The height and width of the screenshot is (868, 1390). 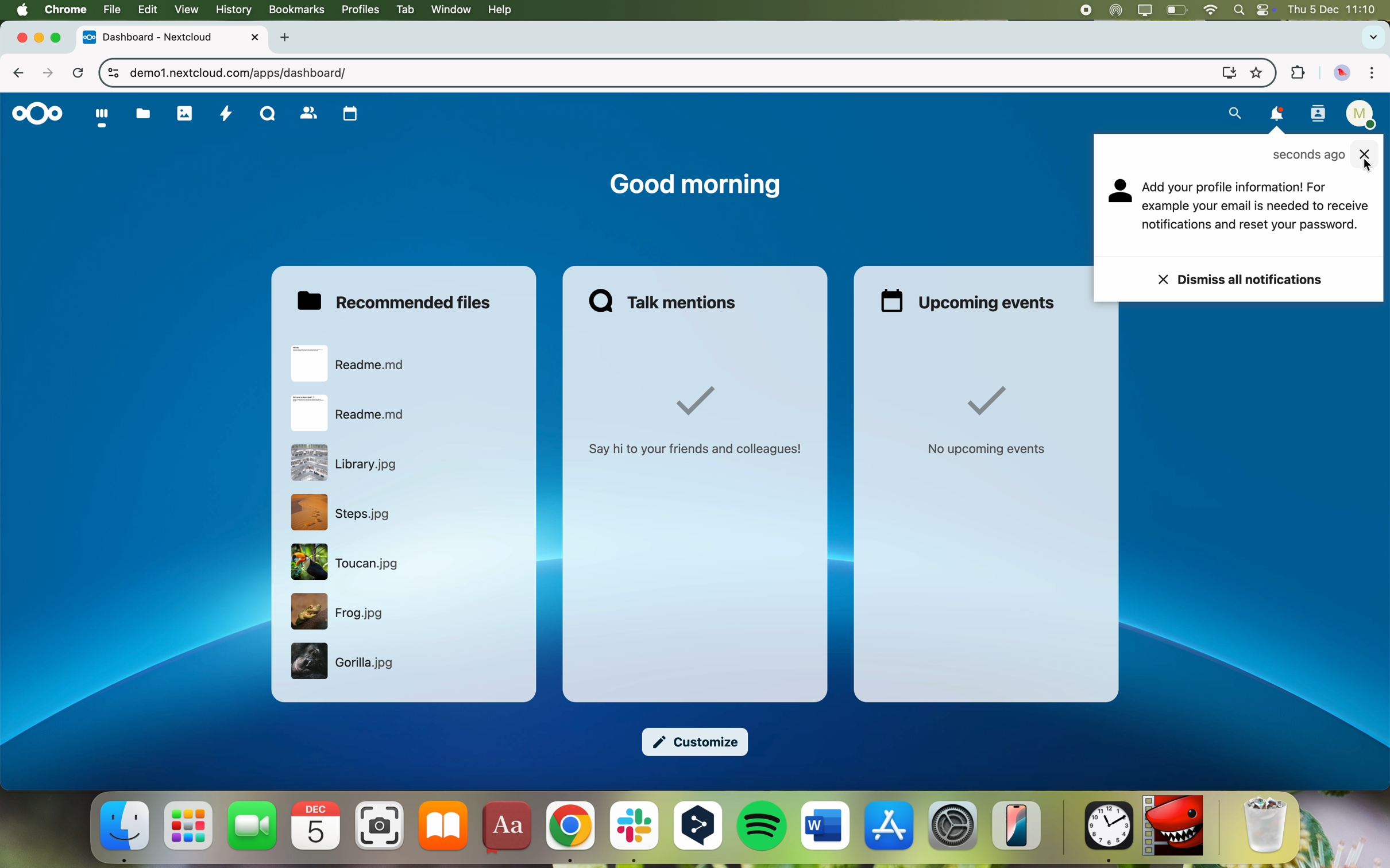 I want to click on Talk, so click(x=268, y=113).